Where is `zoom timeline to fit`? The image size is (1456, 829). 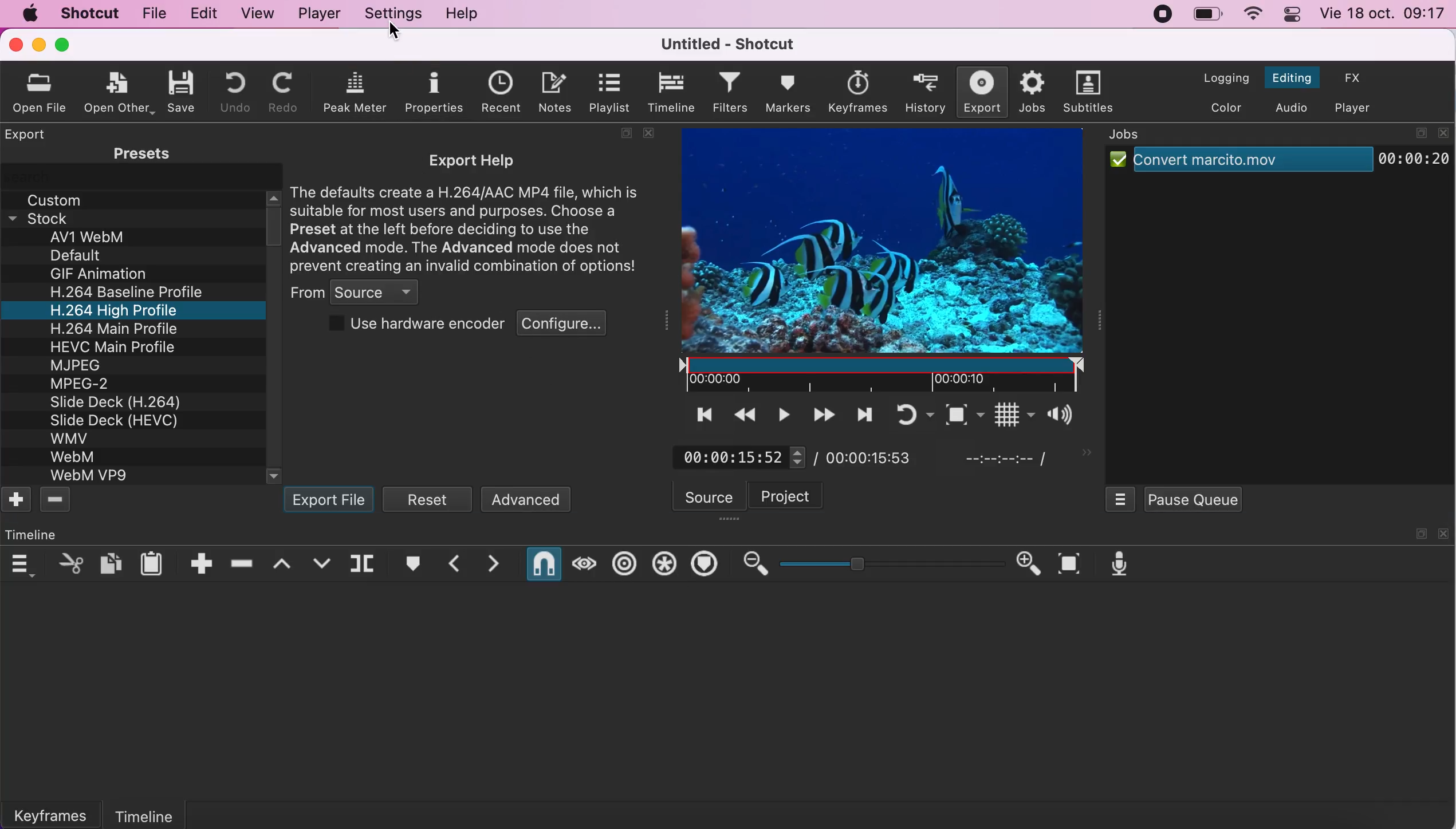 zoom timeline to fit is located at coordinates (1068, 564).